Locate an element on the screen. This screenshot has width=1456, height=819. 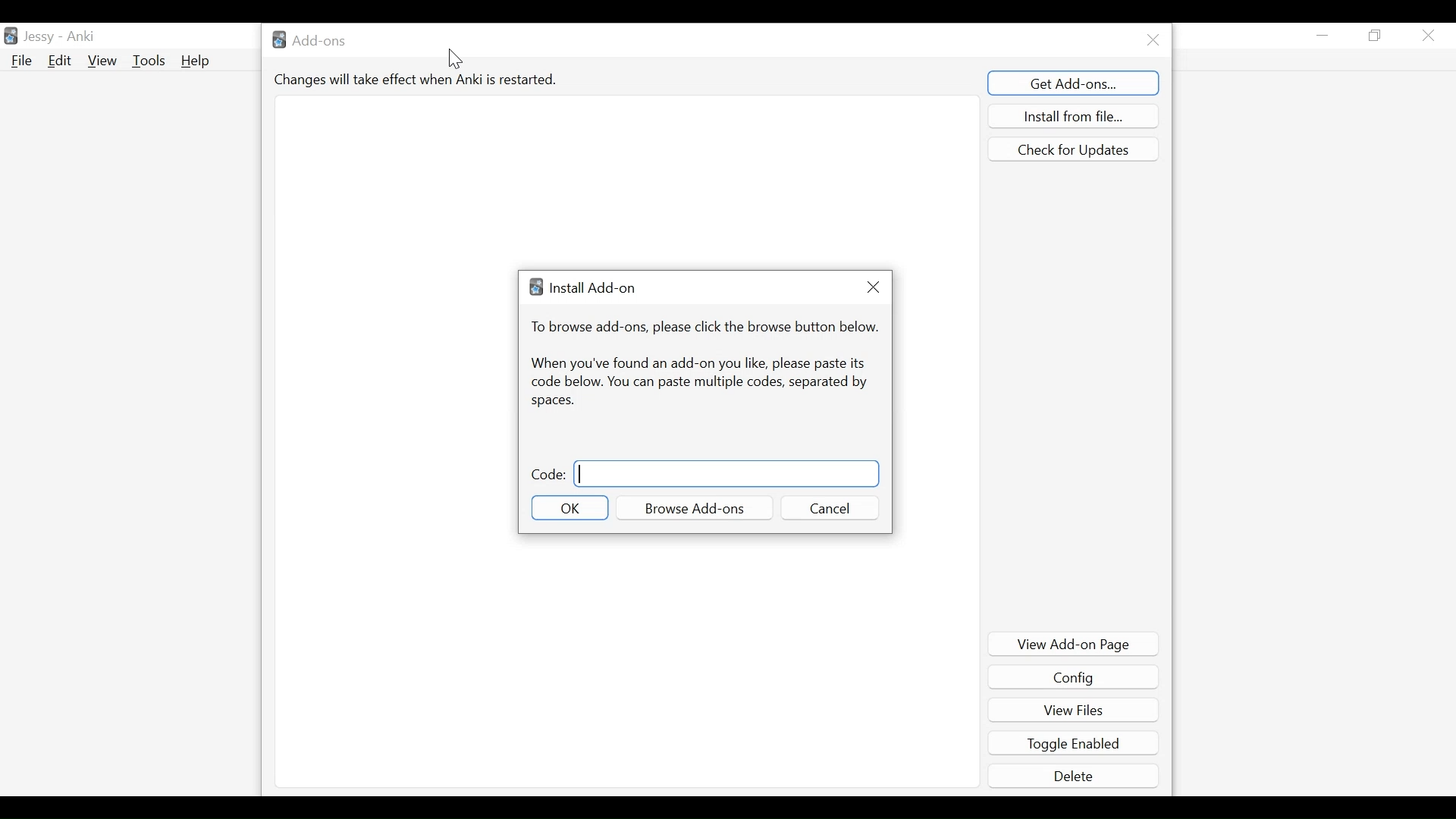
minimize is located at coordinates (1323, 35).